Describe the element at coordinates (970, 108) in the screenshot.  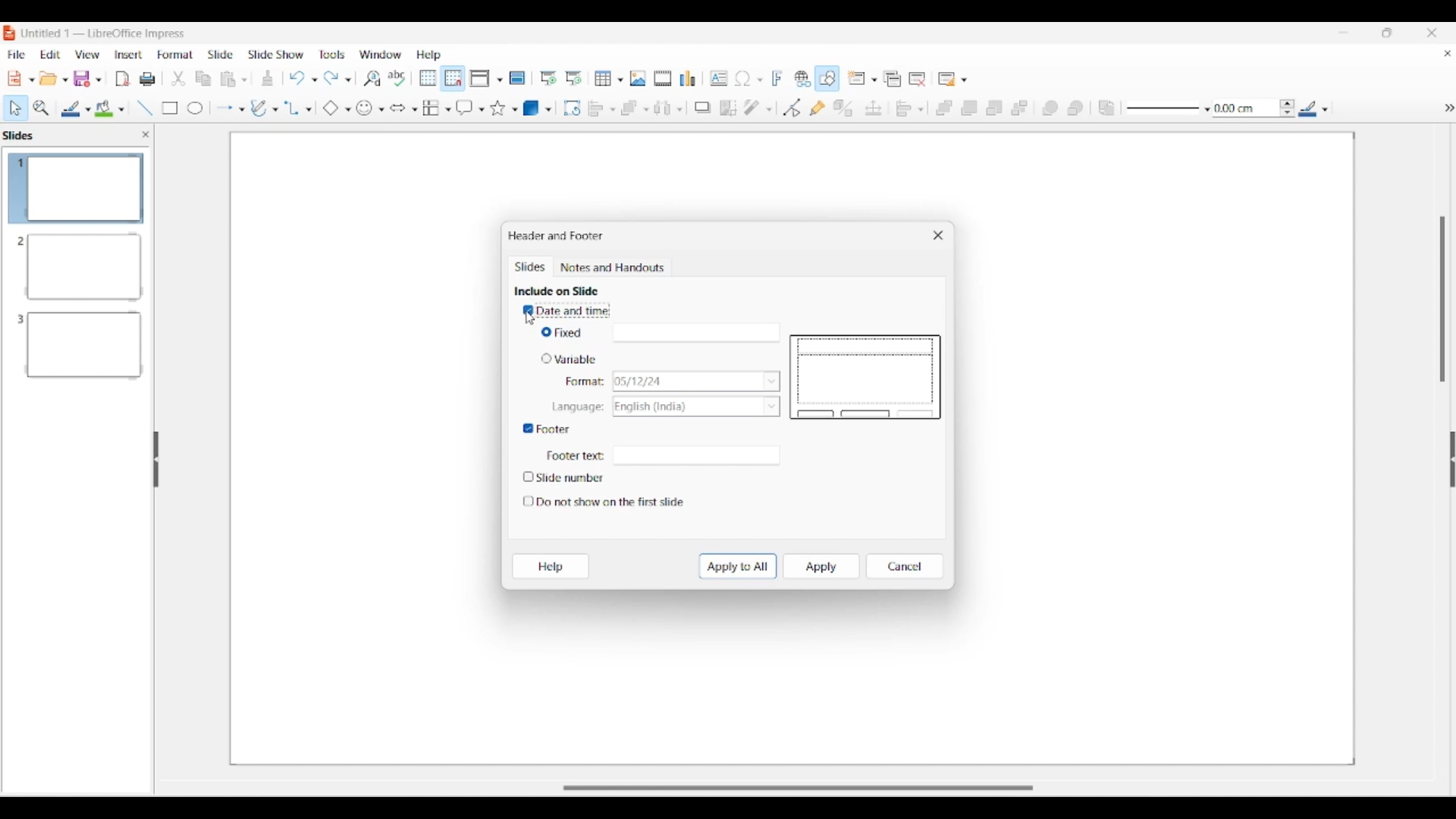
I see `Bring forward` at that location.